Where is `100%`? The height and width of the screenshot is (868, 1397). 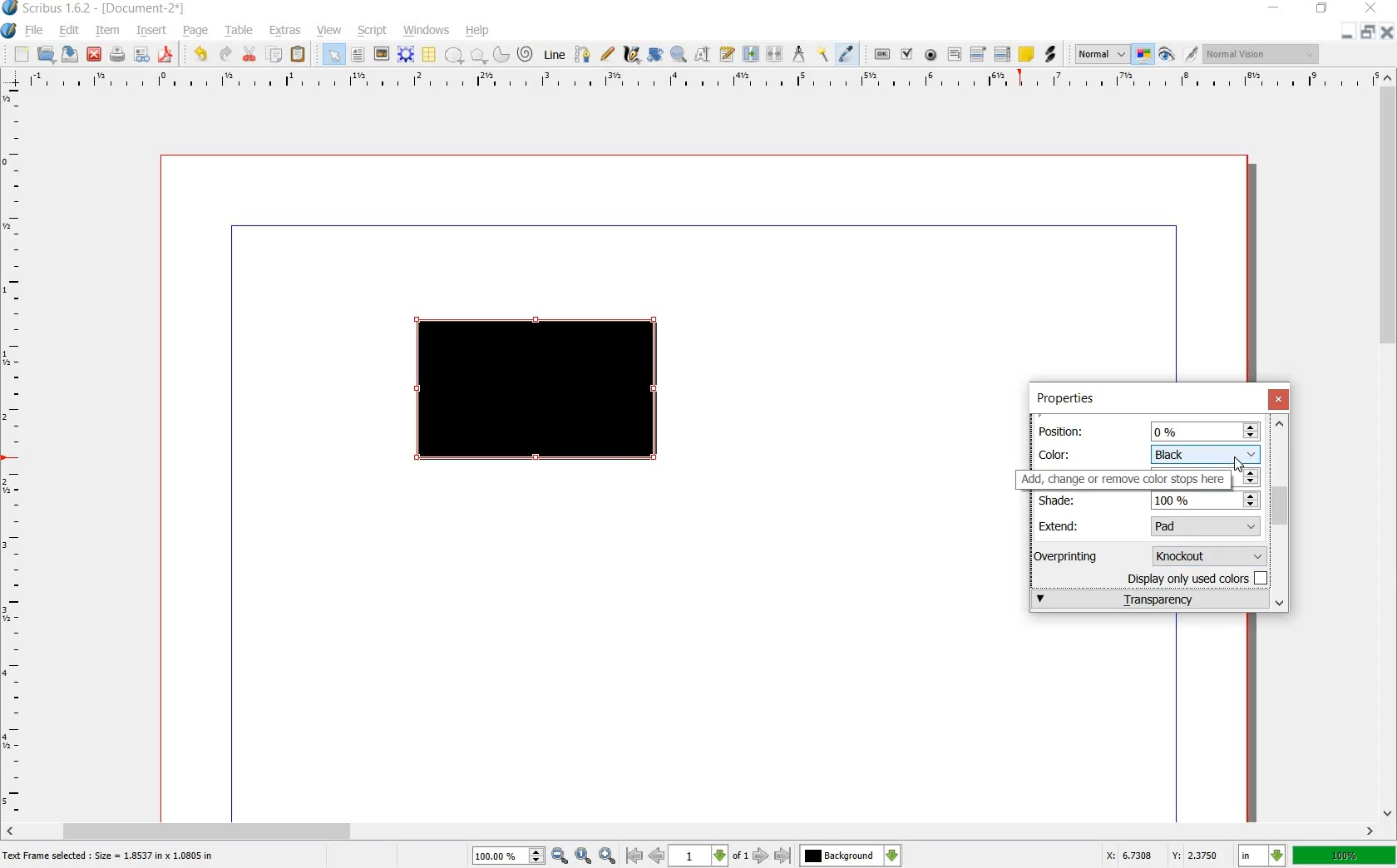 100% is located at coordinates (500, 856).